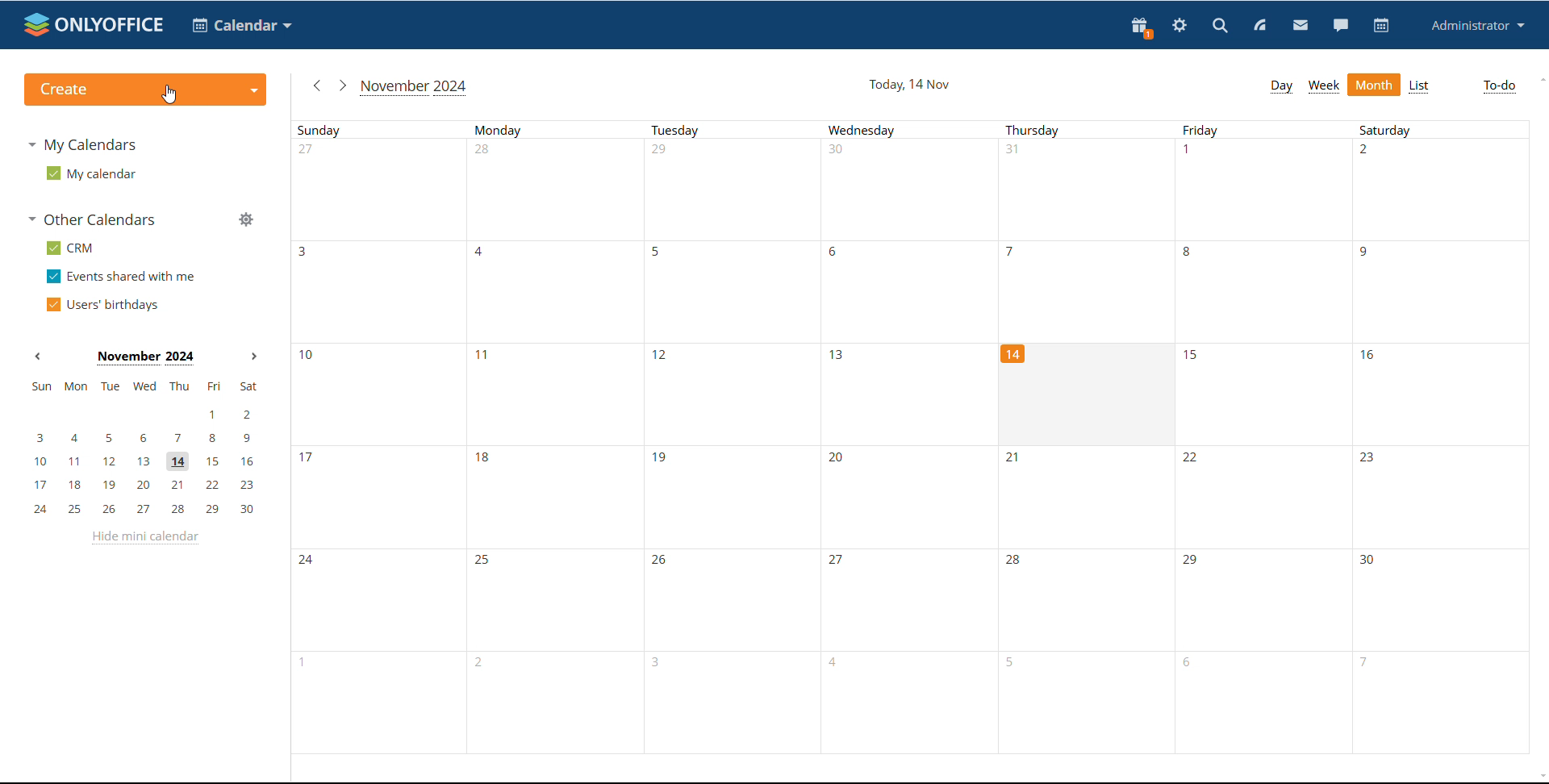  Describe the element at coordinates (148, 485) in the screenshot. I see `17, 18, 19, 20, 21, 22, 23` at that location.